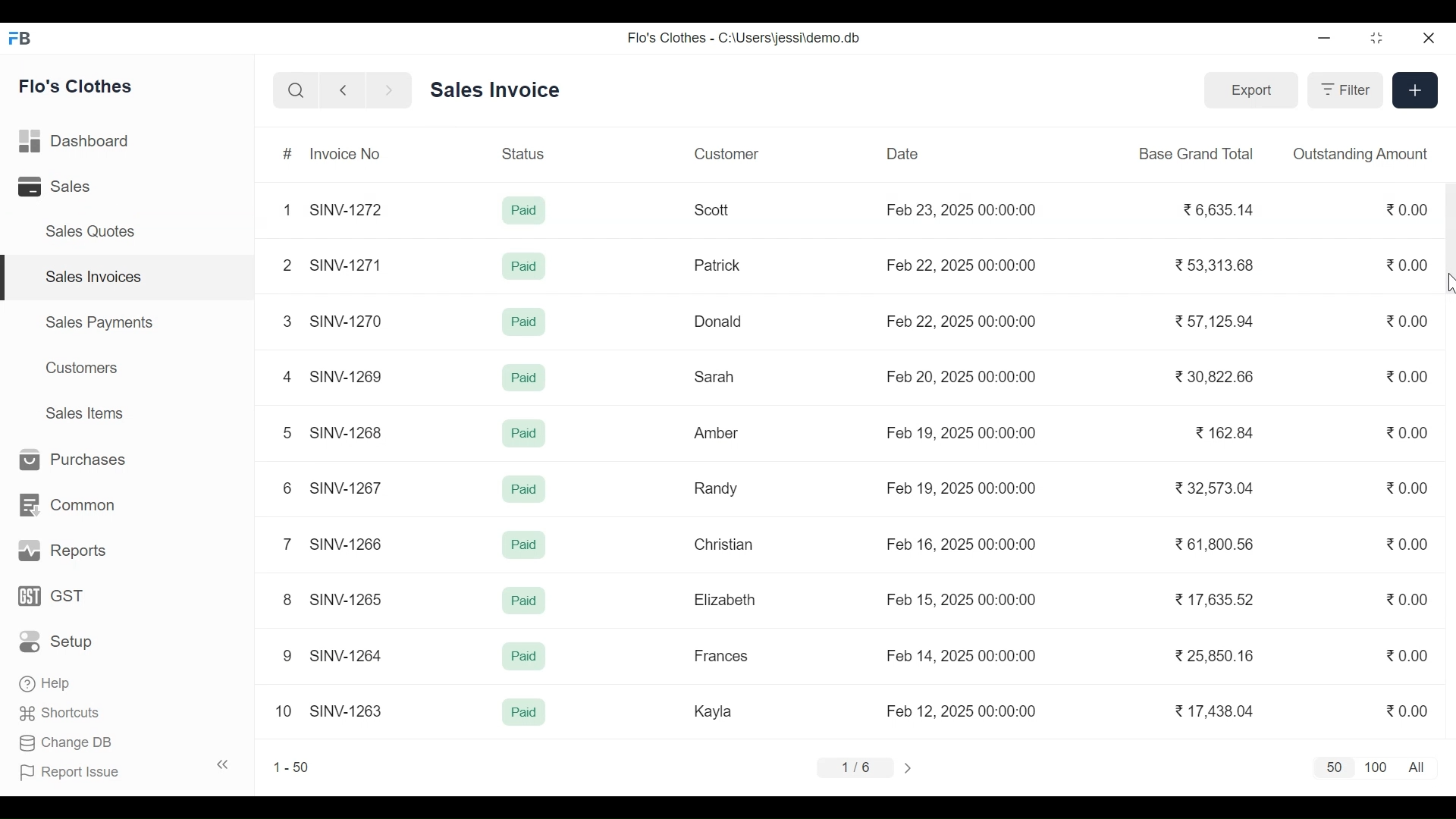 This screenshot has width=1456, height=819. What do you see at coordinates (1406, 209) in the screenshot?
I see `0.00` at bounding box center [1406, 209].